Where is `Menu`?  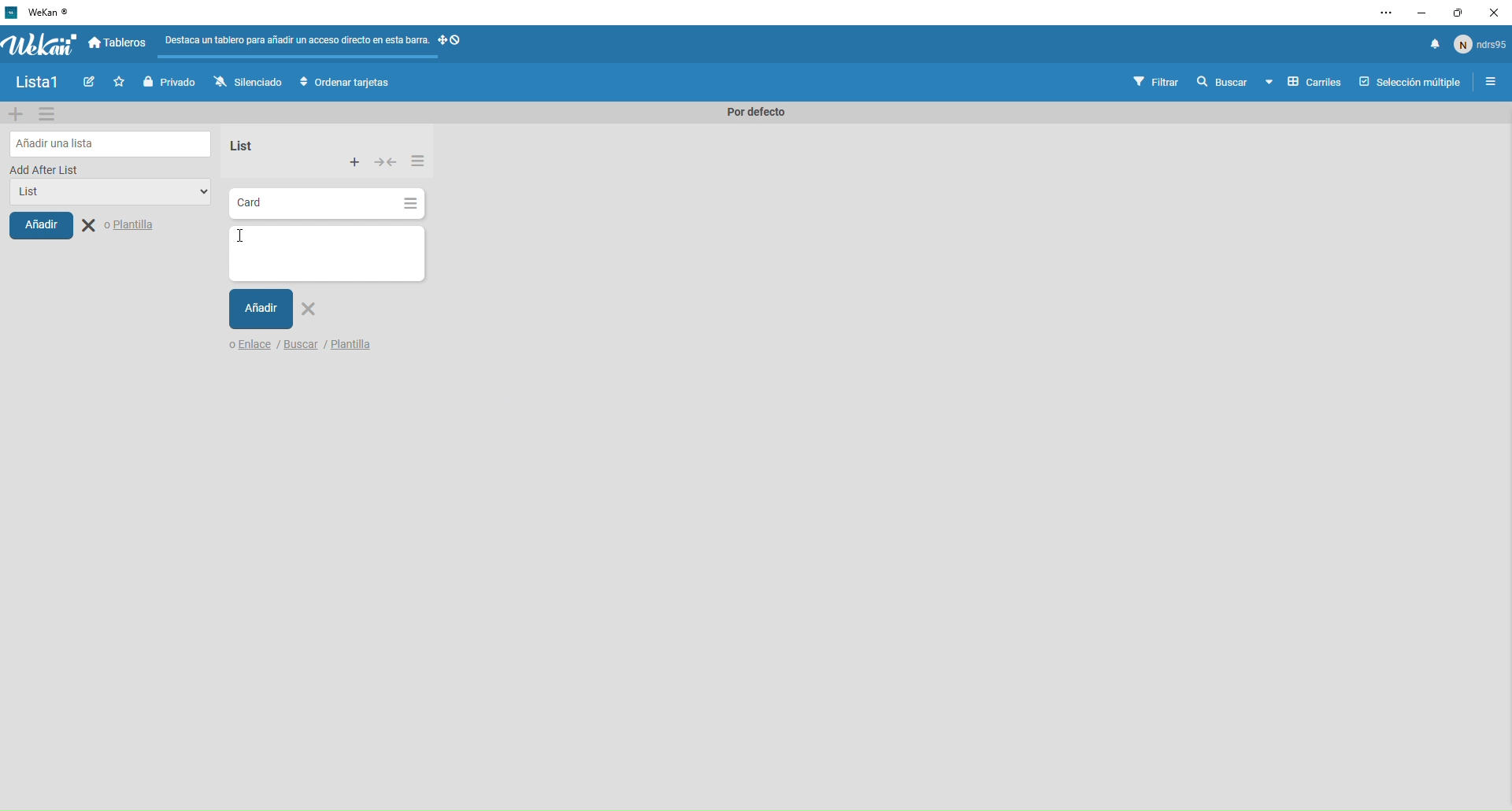
Menu is located at coordinates (1492, 83).